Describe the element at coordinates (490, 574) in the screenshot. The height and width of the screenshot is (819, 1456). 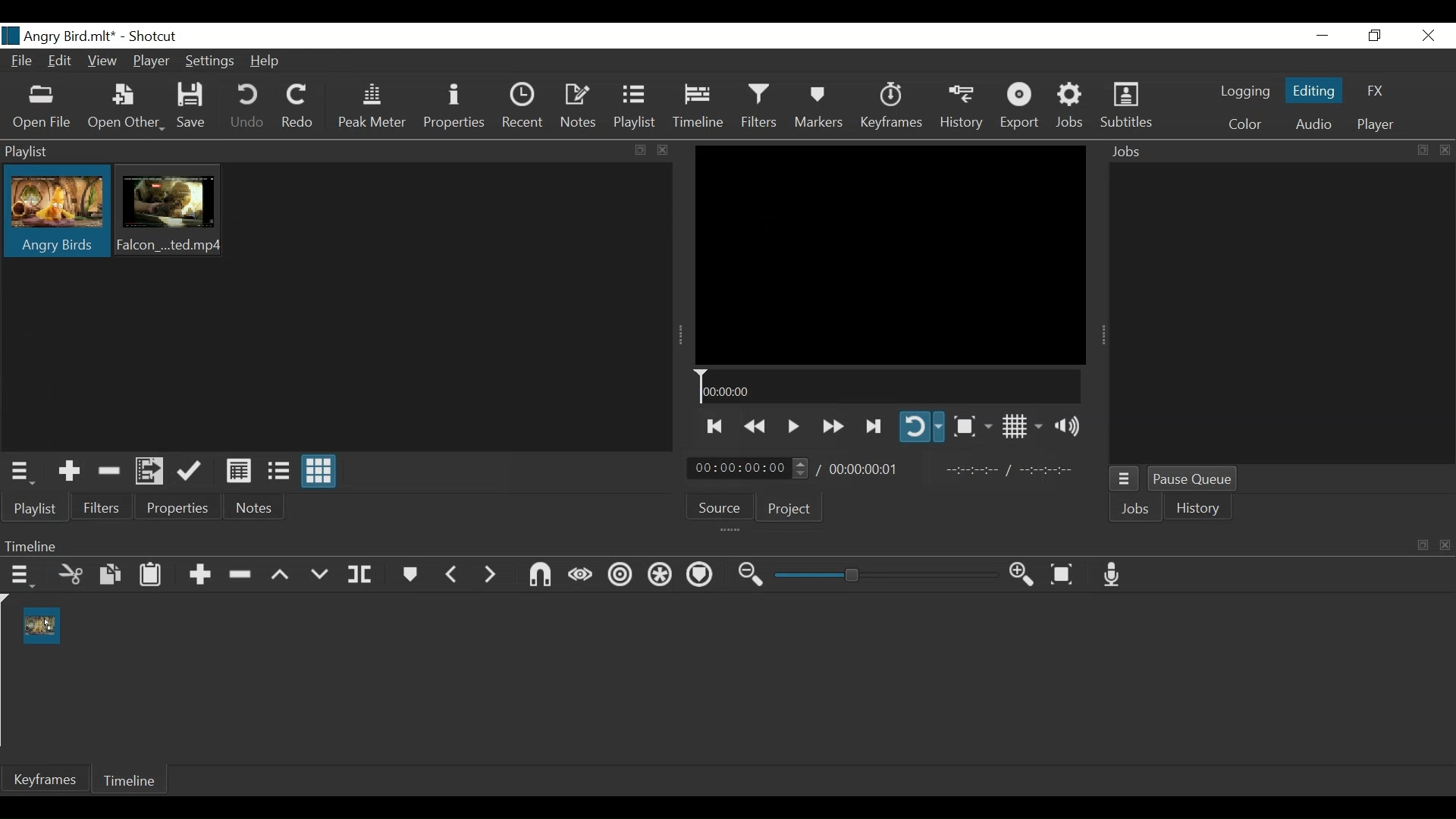
I see `Next Marker` at that location.